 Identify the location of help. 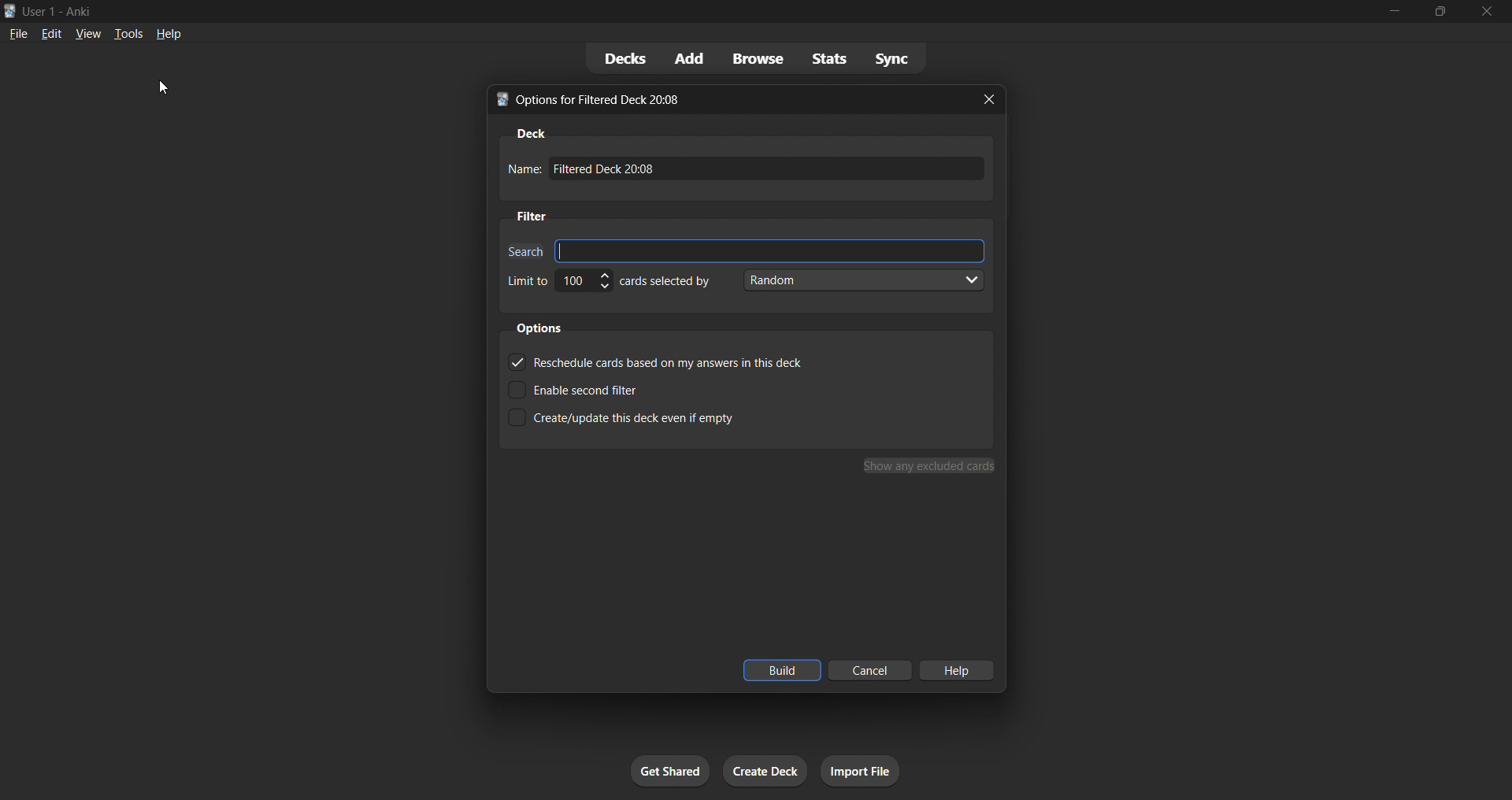
(962, 670).